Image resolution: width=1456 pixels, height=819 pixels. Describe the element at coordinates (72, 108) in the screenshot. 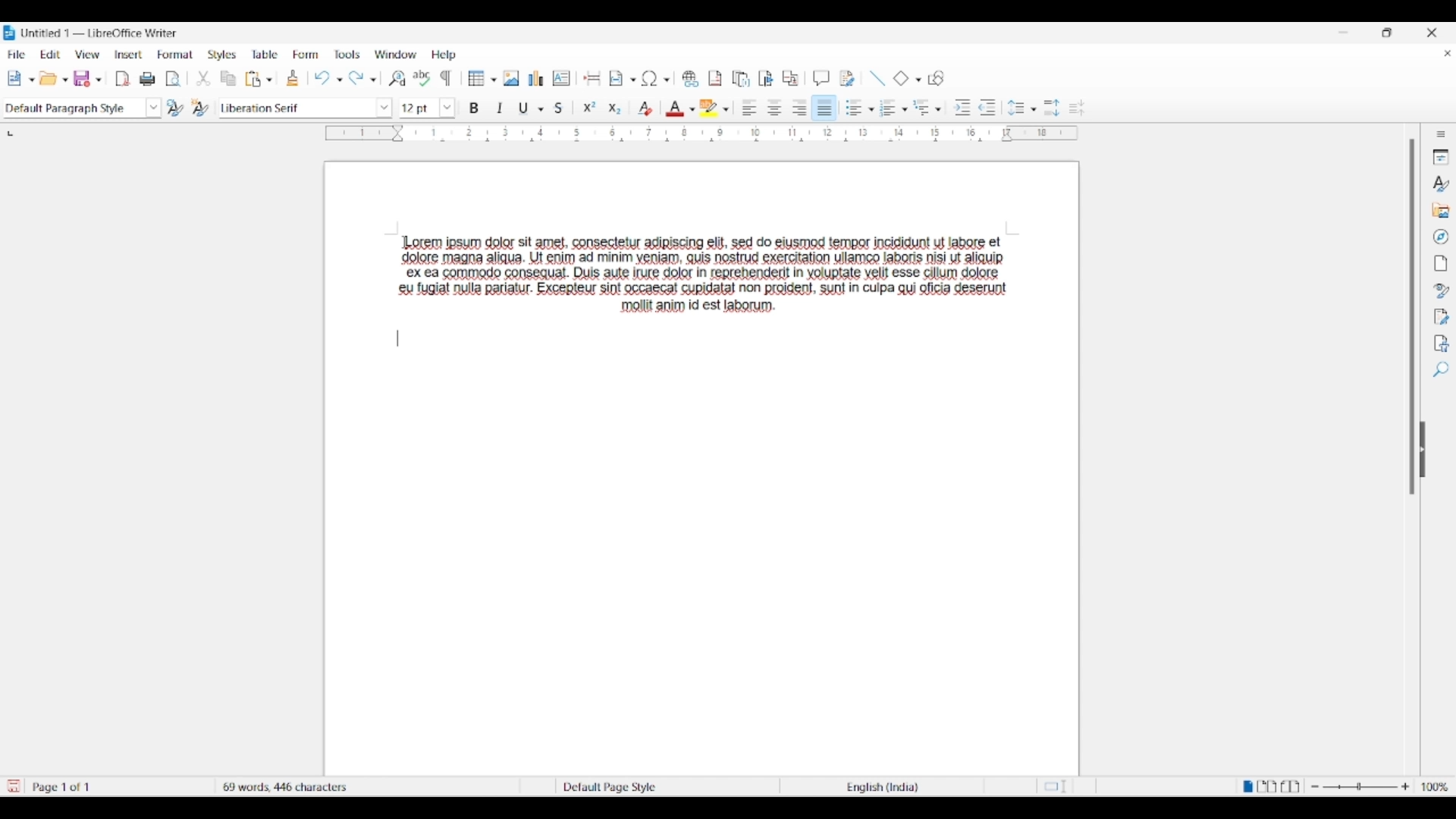

I see `Manually enter paragraph style` at that location.